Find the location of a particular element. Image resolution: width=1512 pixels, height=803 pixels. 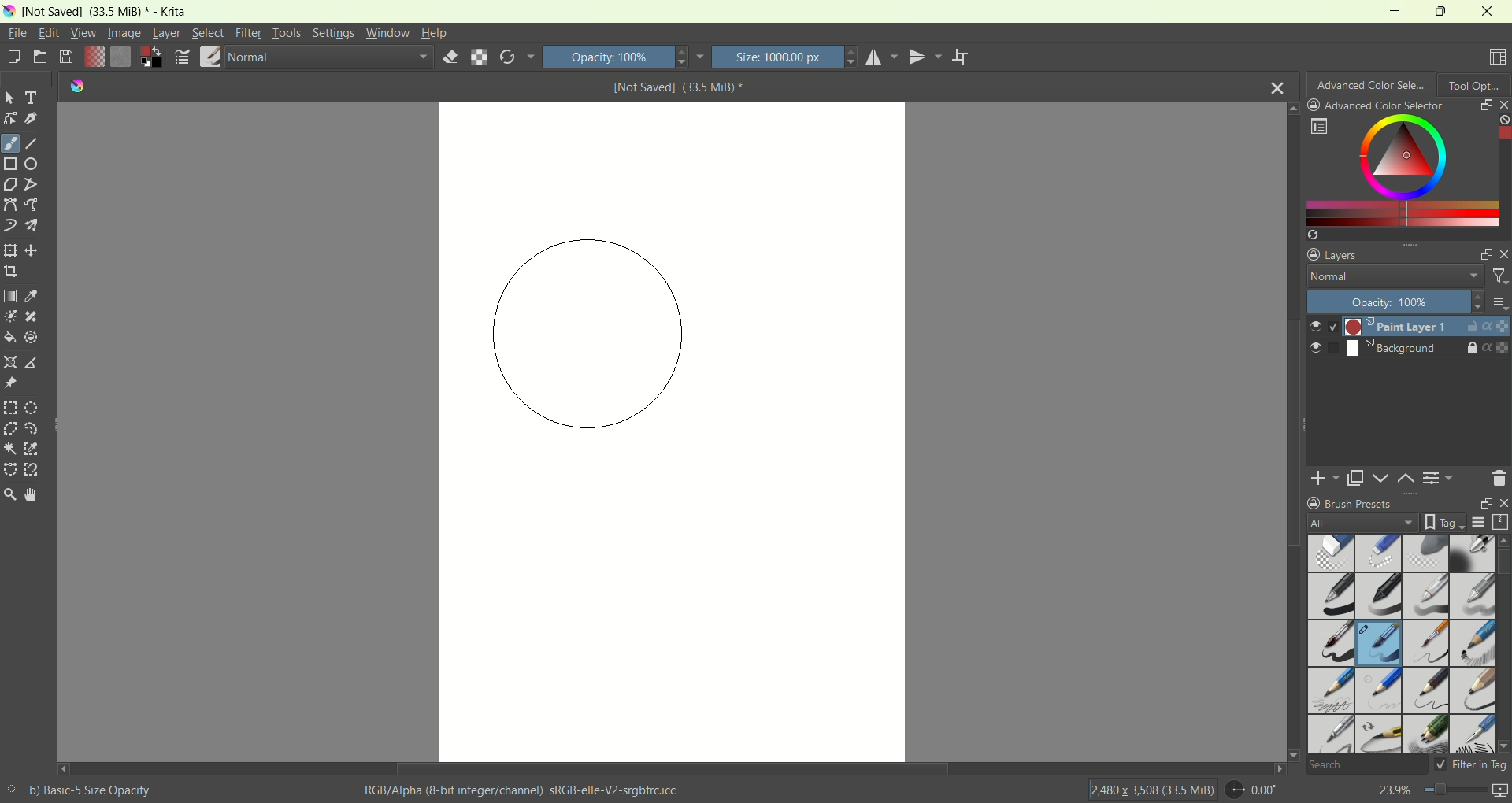

eraser mode is located at coordinates (447, 58).